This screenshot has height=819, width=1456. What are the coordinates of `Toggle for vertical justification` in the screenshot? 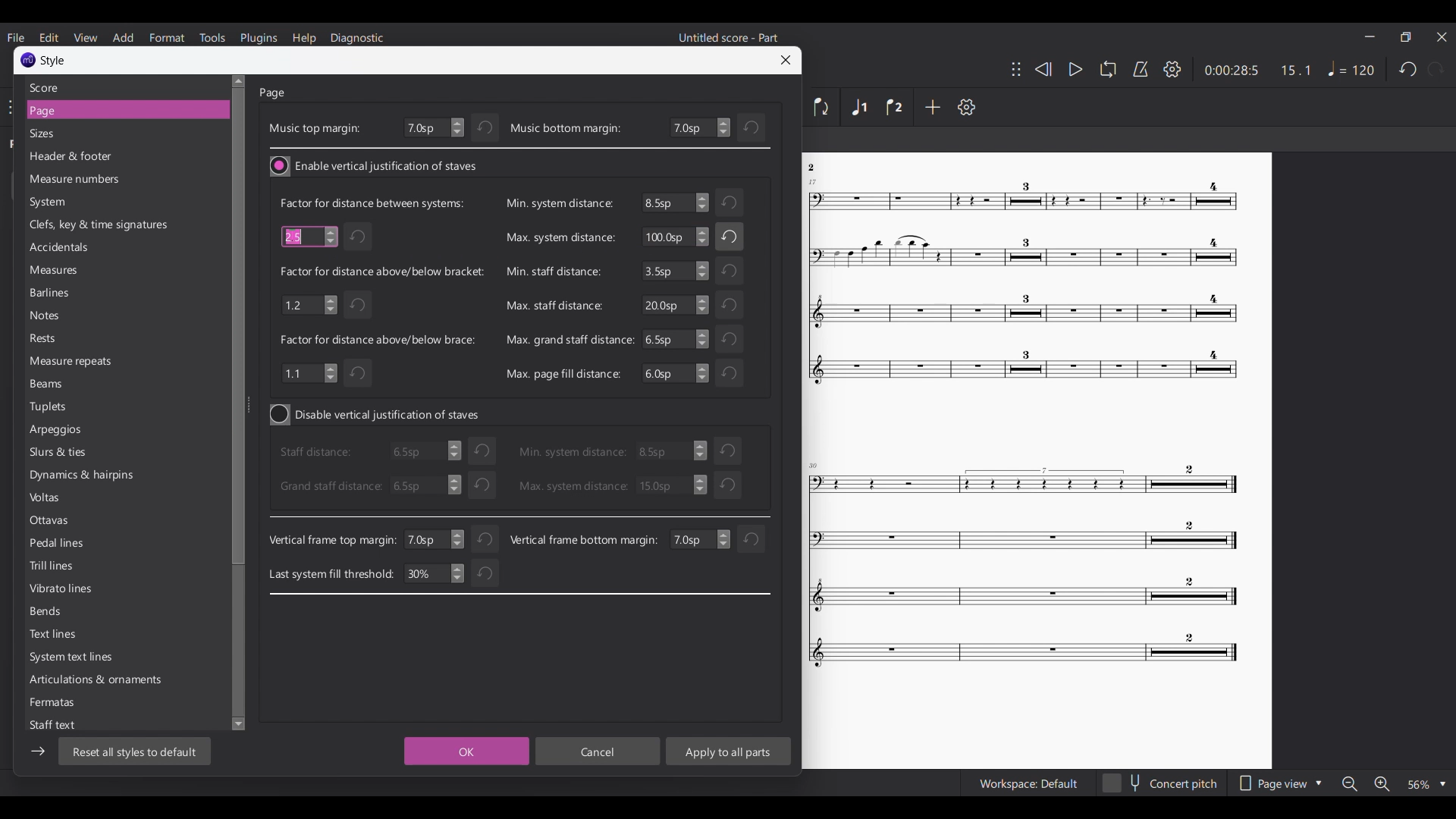 It's located at (377, 415).